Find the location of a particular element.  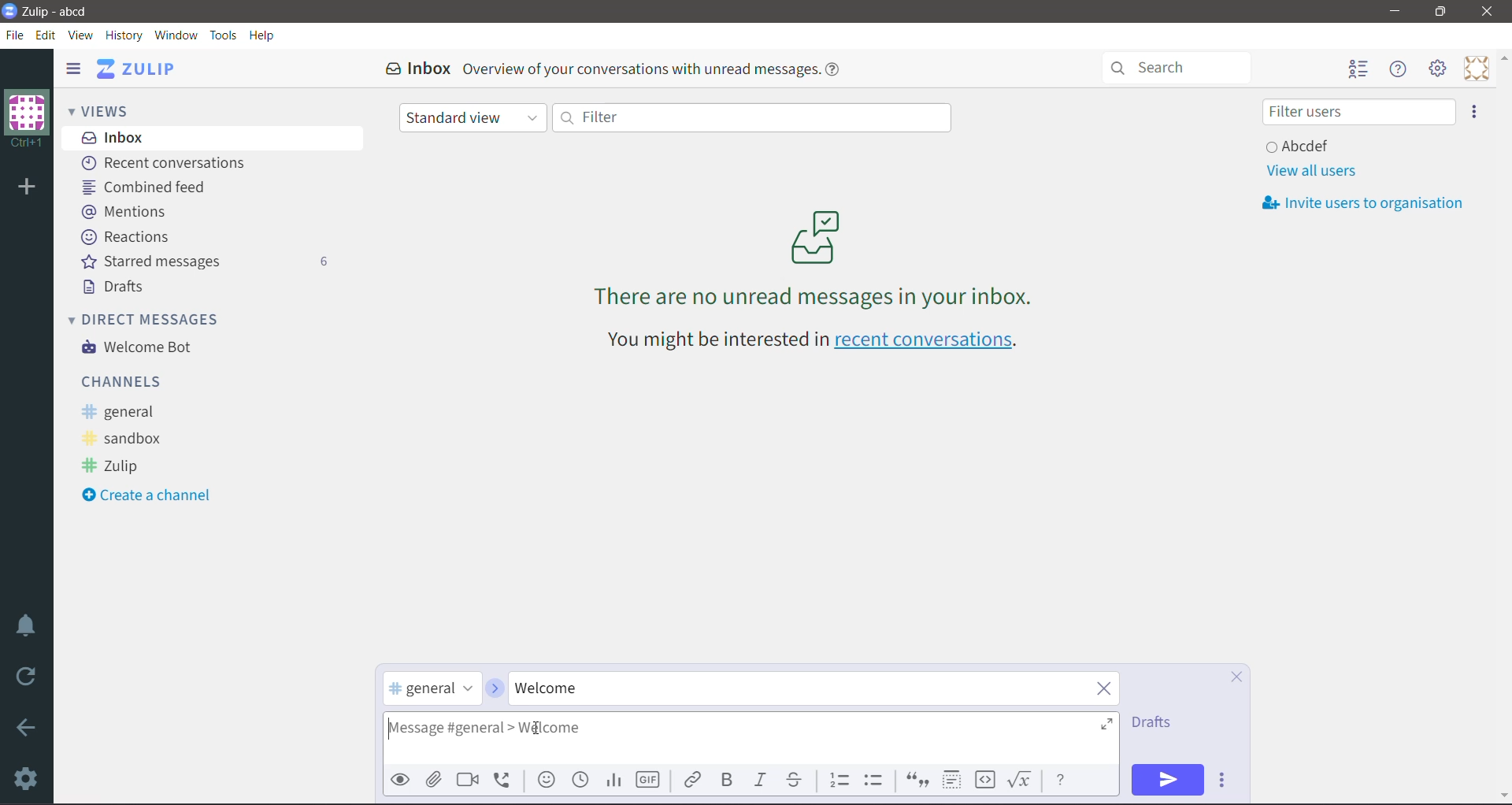

Settings is located at coordinates (28, 778).